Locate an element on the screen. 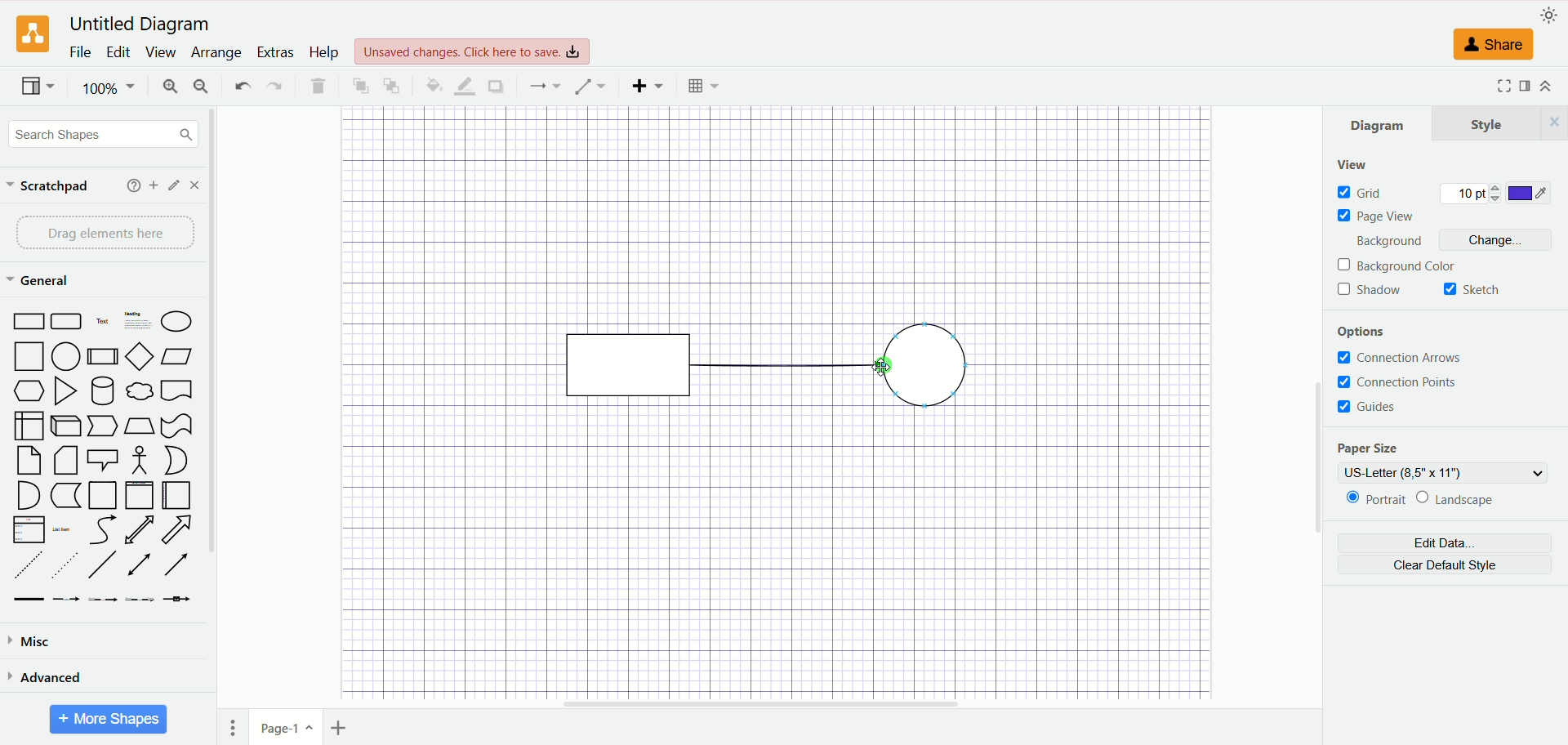 Image resolution: width=1568 pixels, height=745 pixels. options is located at coordinates (1366, 333).